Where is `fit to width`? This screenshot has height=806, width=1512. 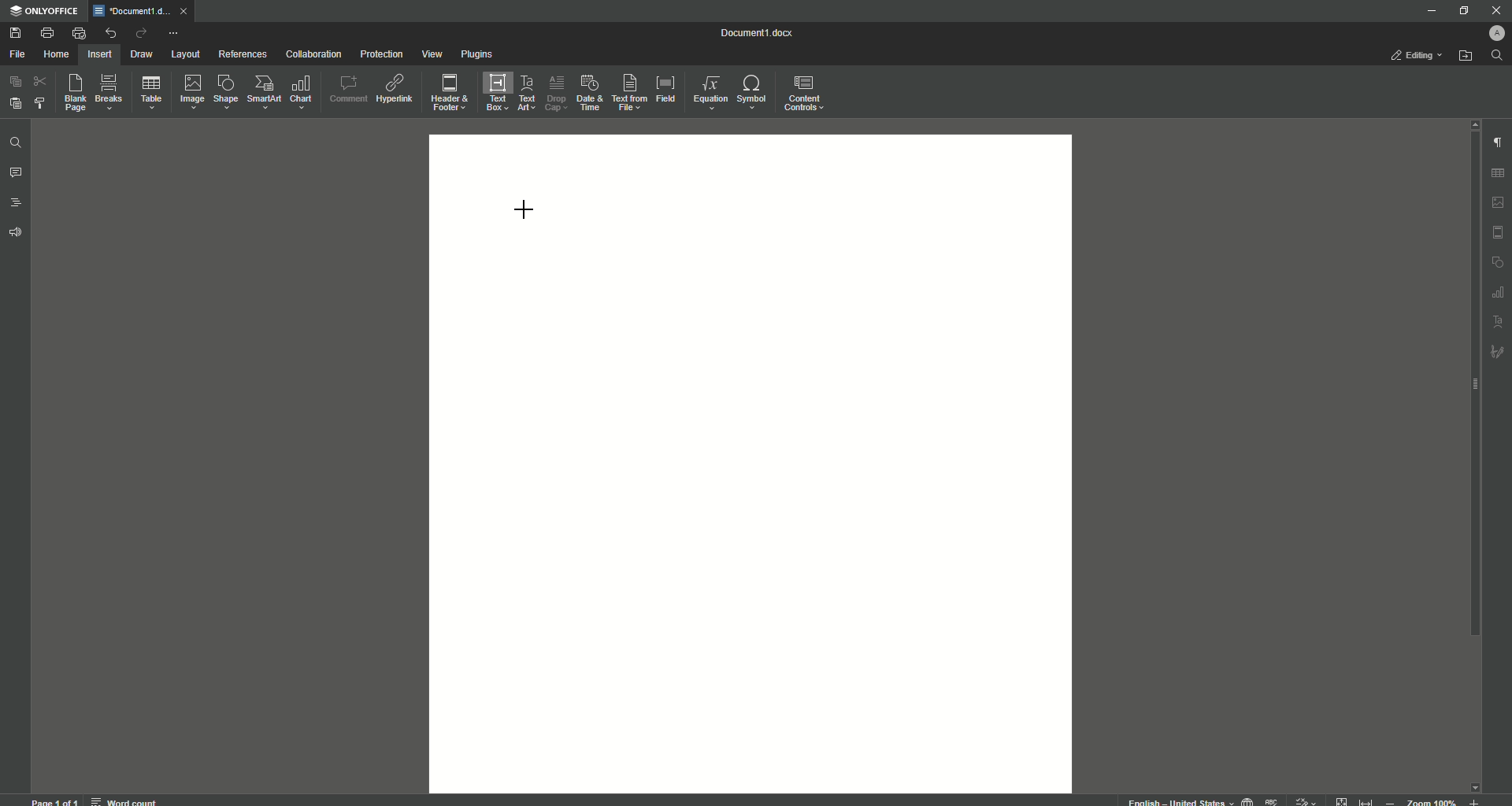
fit to width is located at coordinates (1369, 800).